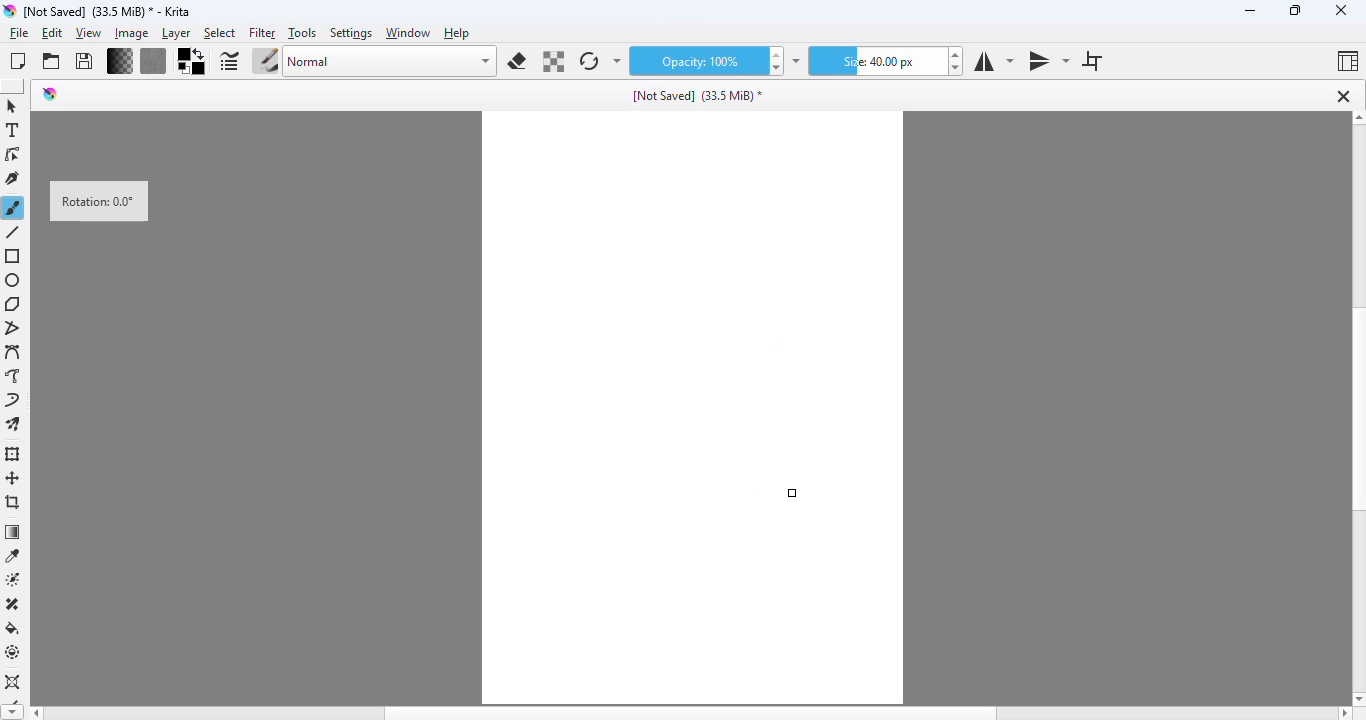 This screenshot has height=720, width=1366. Describe the element at coordinates (15, 353) in the screenshot. I see `bezier curve tool` at that location.